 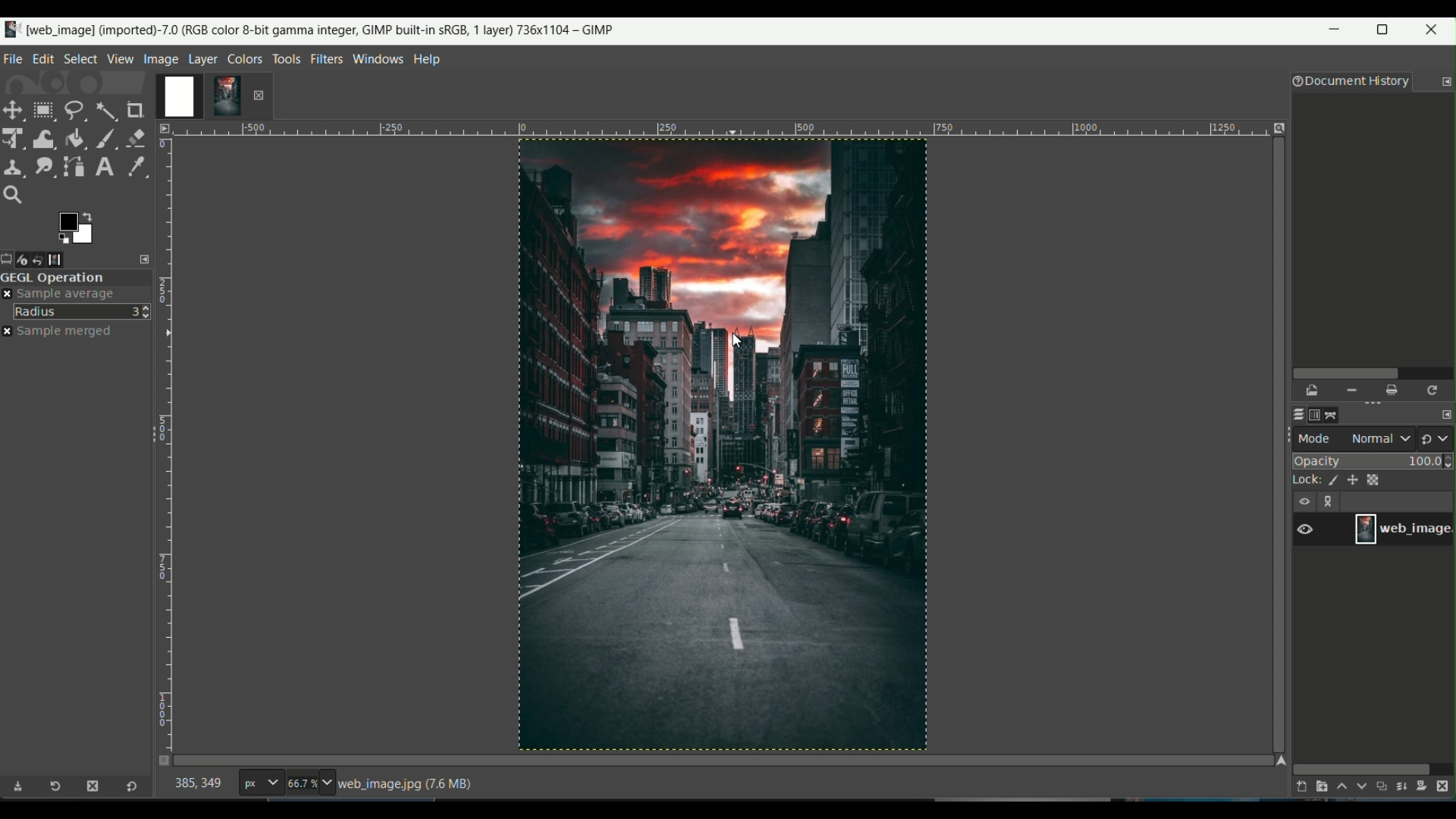 What do you see at coordinates (259, 95) in the screenshot?
I see `remove image` at bounding box center [259, 95].